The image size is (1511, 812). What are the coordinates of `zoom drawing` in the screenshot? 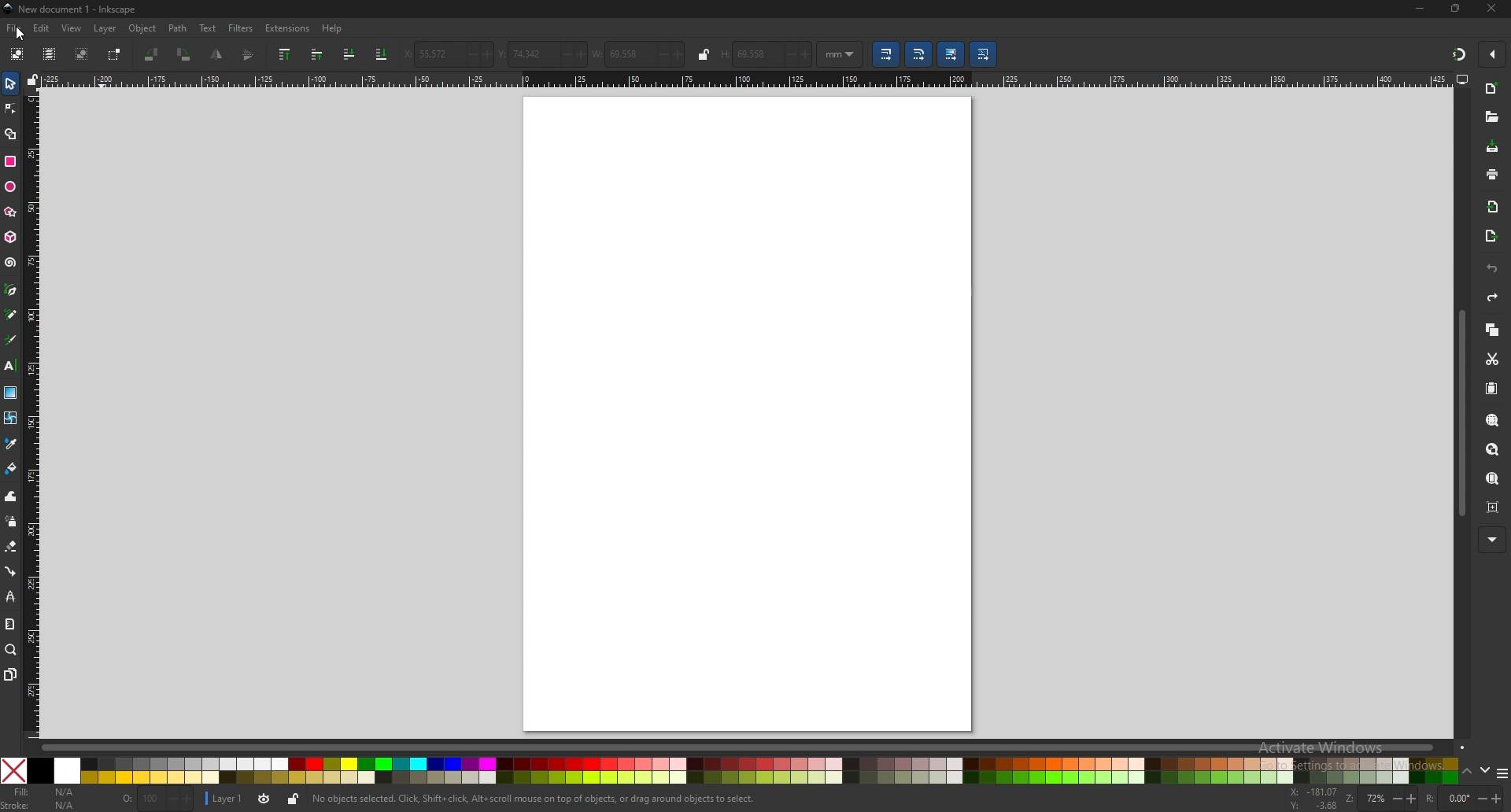 It's located at (1493, 449).